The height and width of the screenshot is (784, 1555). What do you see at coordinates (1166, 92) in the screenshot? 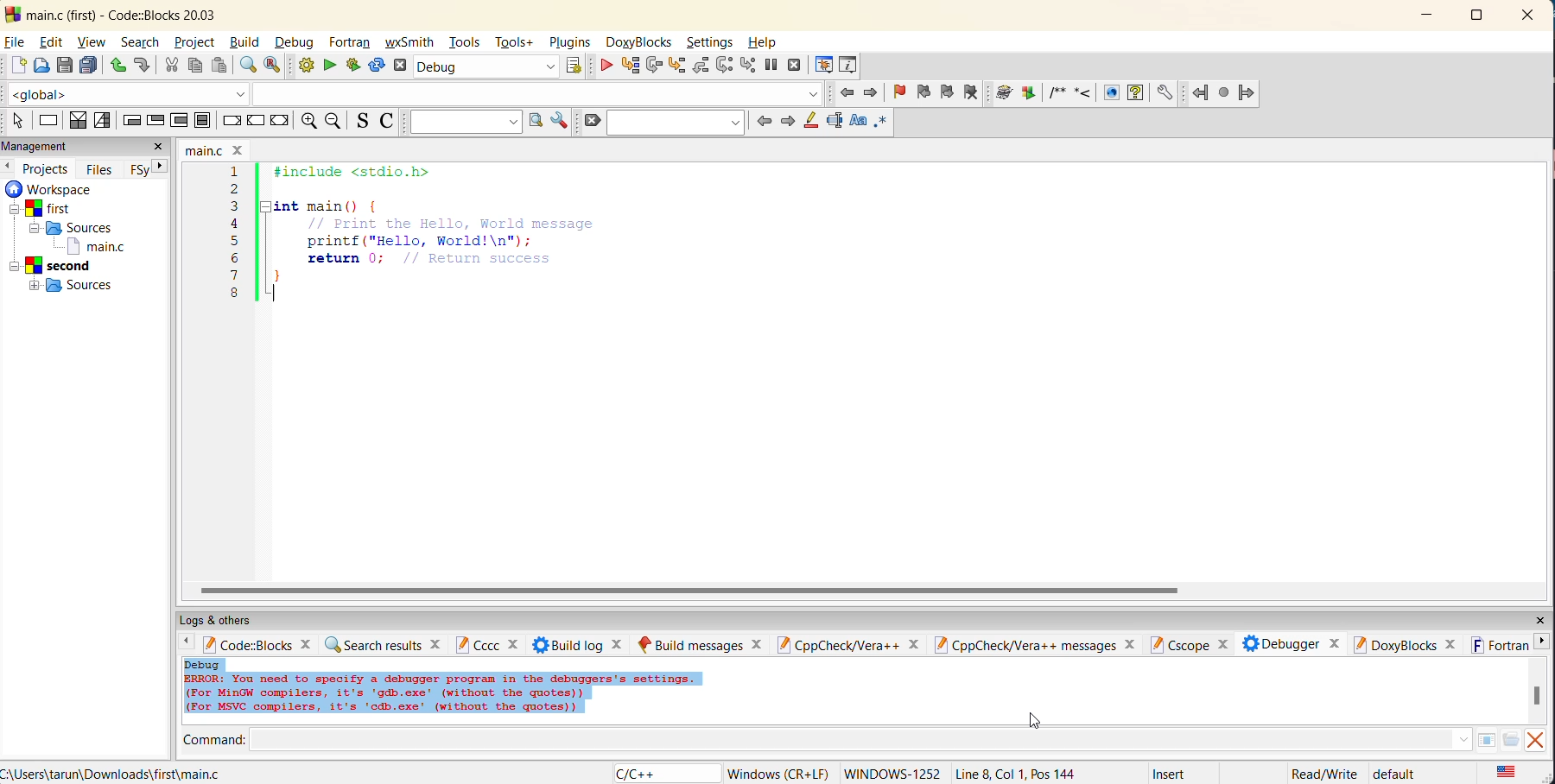
I see `Doxyblock preferences` at bounding box center [1166, 92].